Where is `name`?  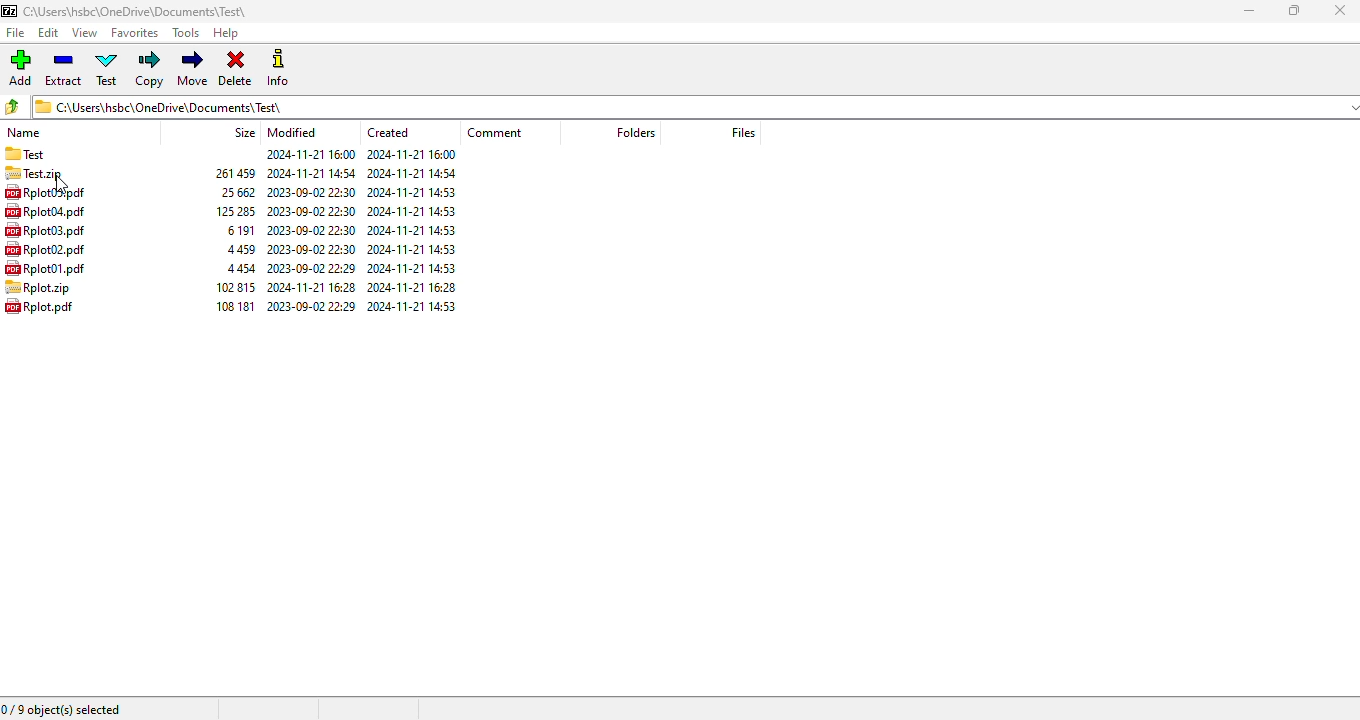 name is located at coordinates (25, 132).